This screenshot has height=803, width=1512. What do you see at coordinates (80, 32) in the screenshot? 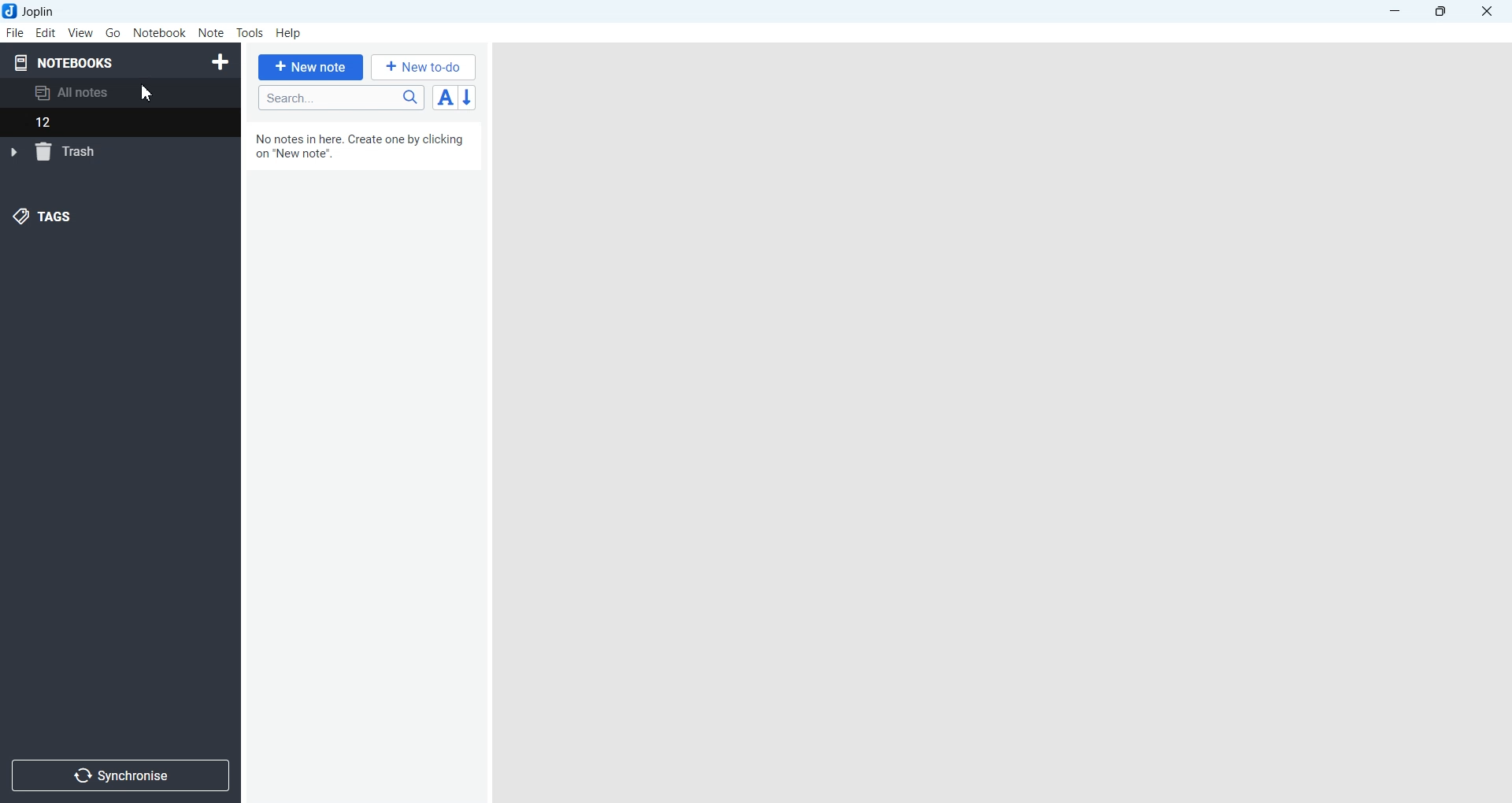
I see `View ` at bounding box center [80, 32].